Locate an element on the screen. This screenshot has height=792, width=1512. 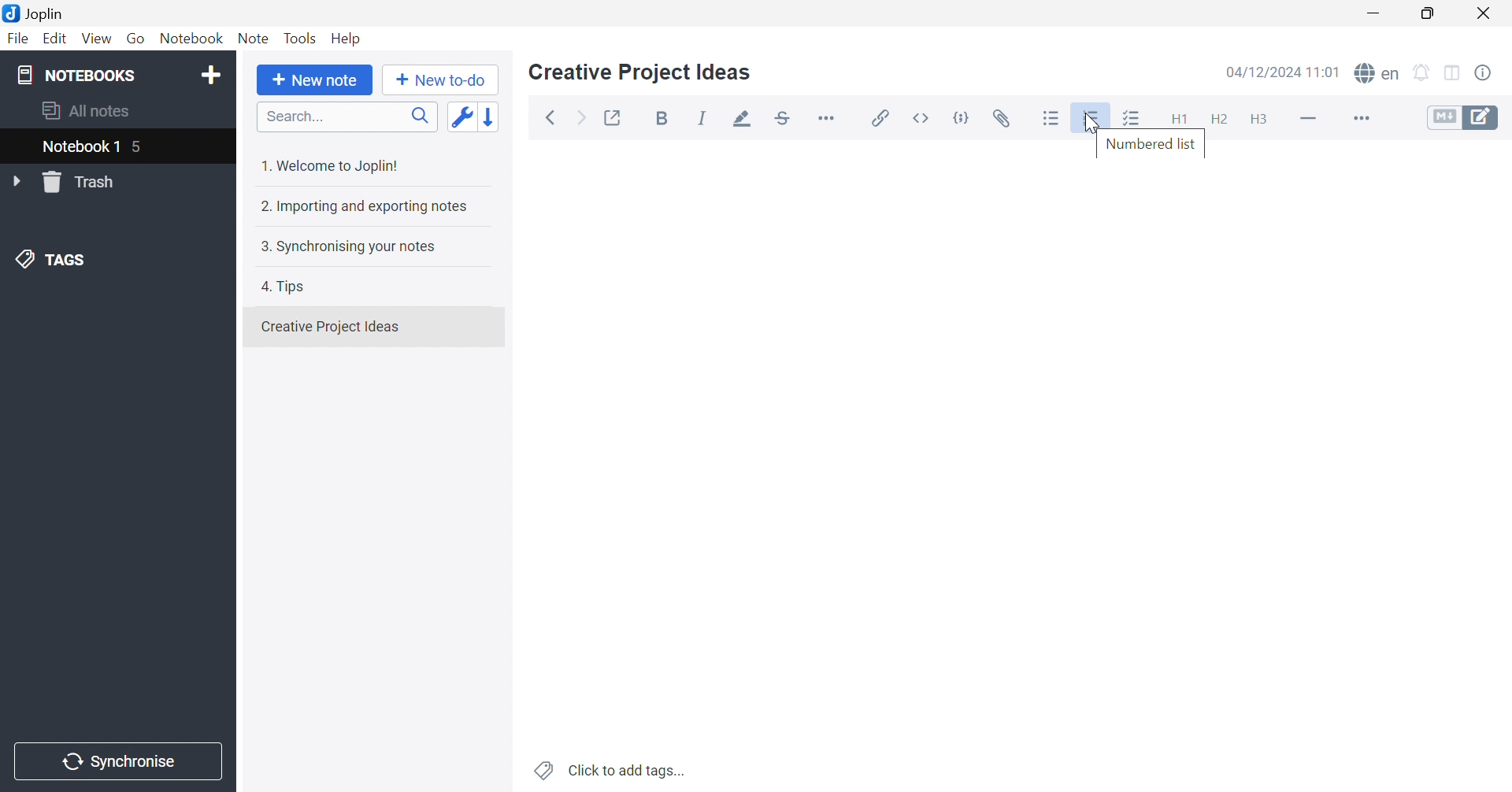
Numbered list is located at coordinates (1149, 146).